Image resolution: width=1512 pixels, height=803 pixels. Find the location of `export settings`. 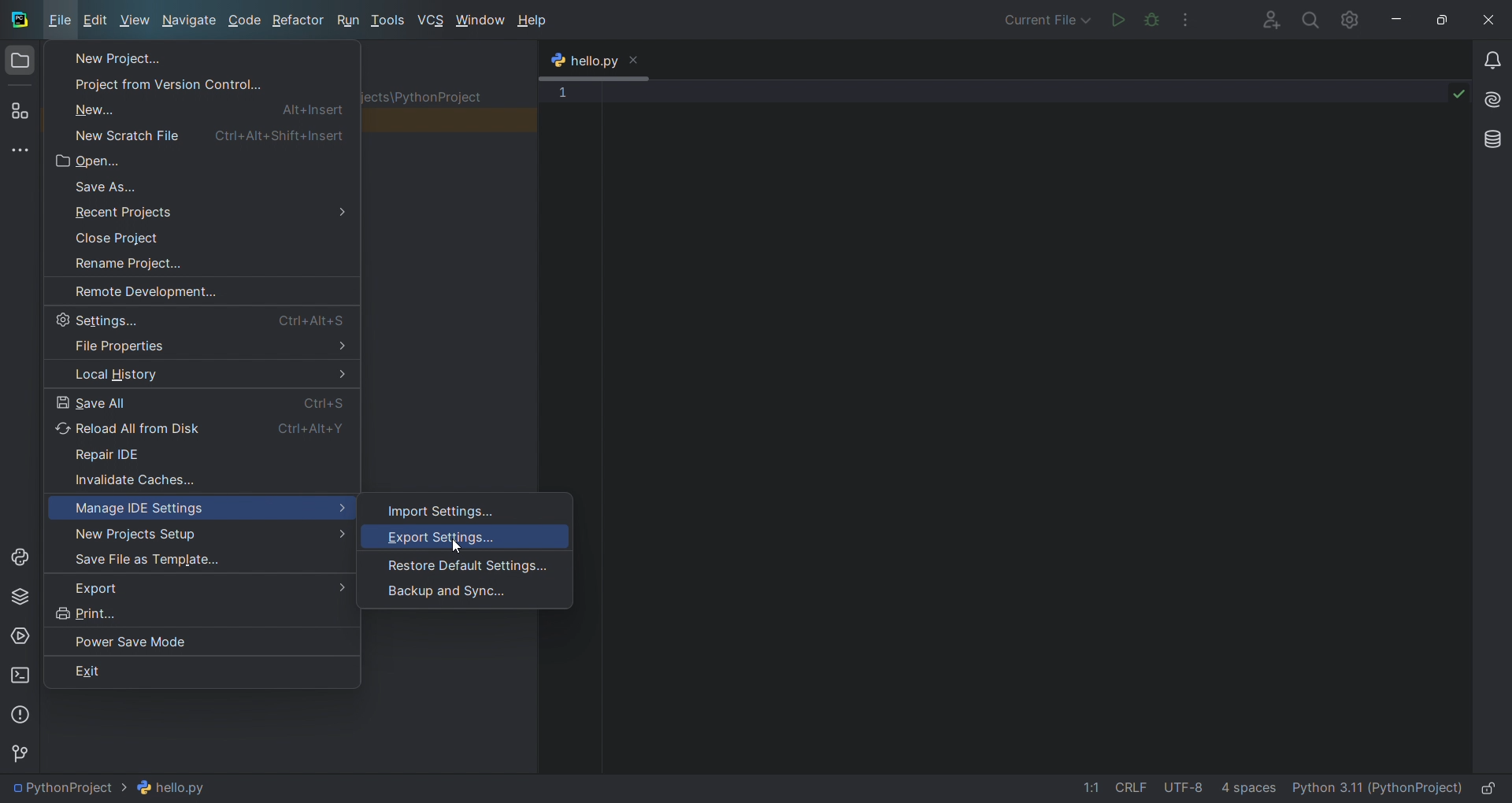

export settings is located at coordinates (450, 537).